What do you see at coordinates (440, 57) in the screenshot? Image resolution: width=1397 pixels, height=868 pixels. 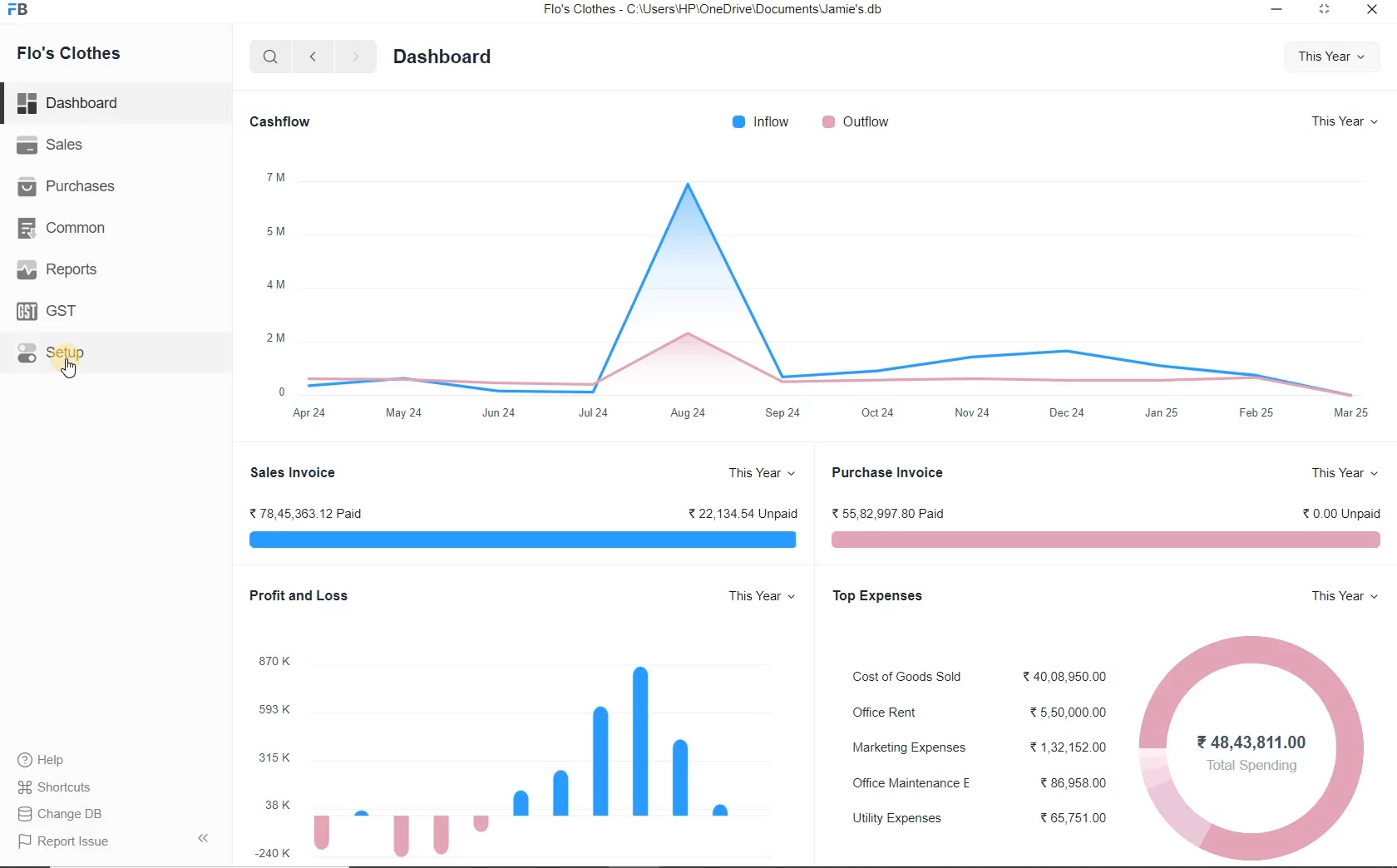 I see `Dashboard` at bounding box center [440, 57].